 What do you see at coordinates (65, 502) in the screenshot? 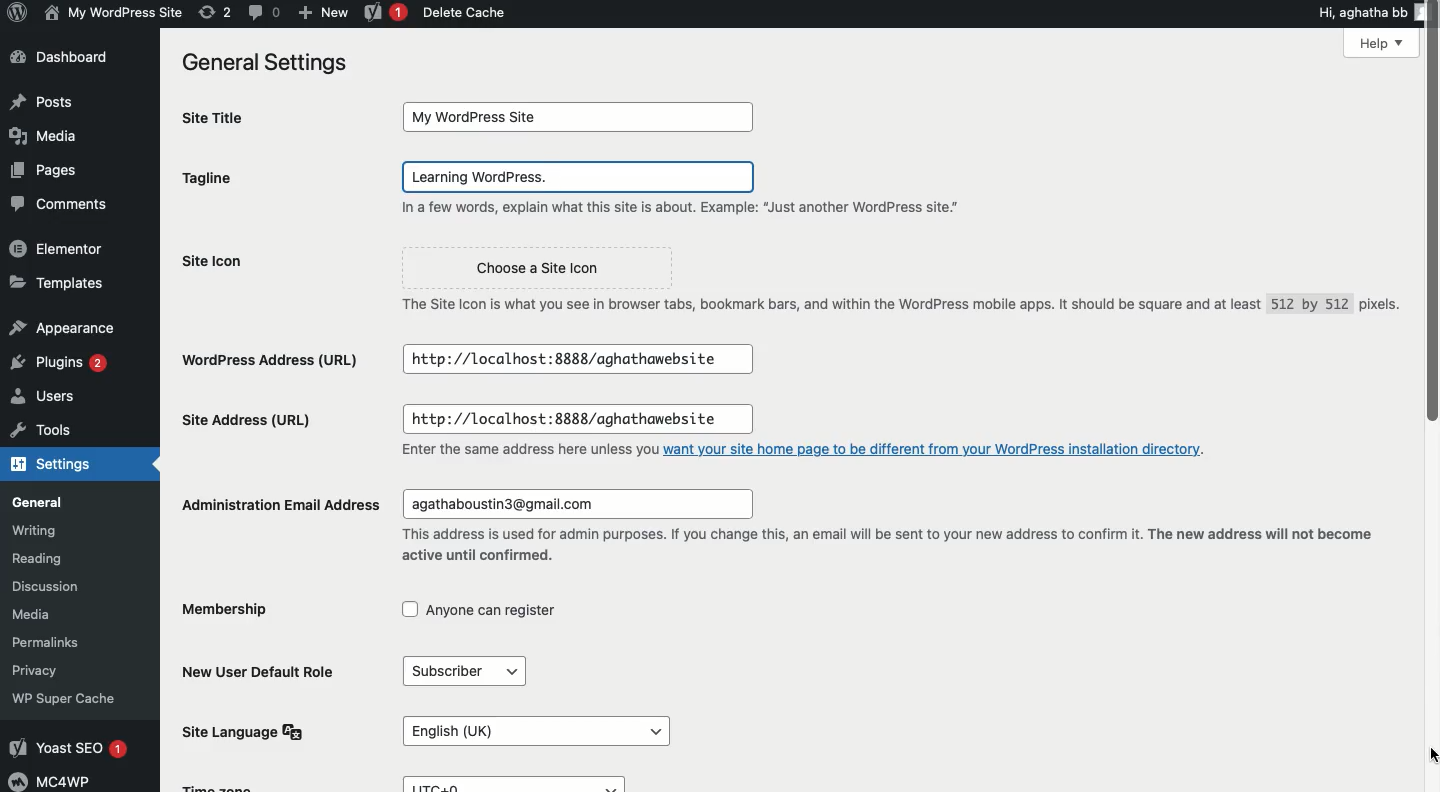
I see `General` at bounding box center [65, 502].